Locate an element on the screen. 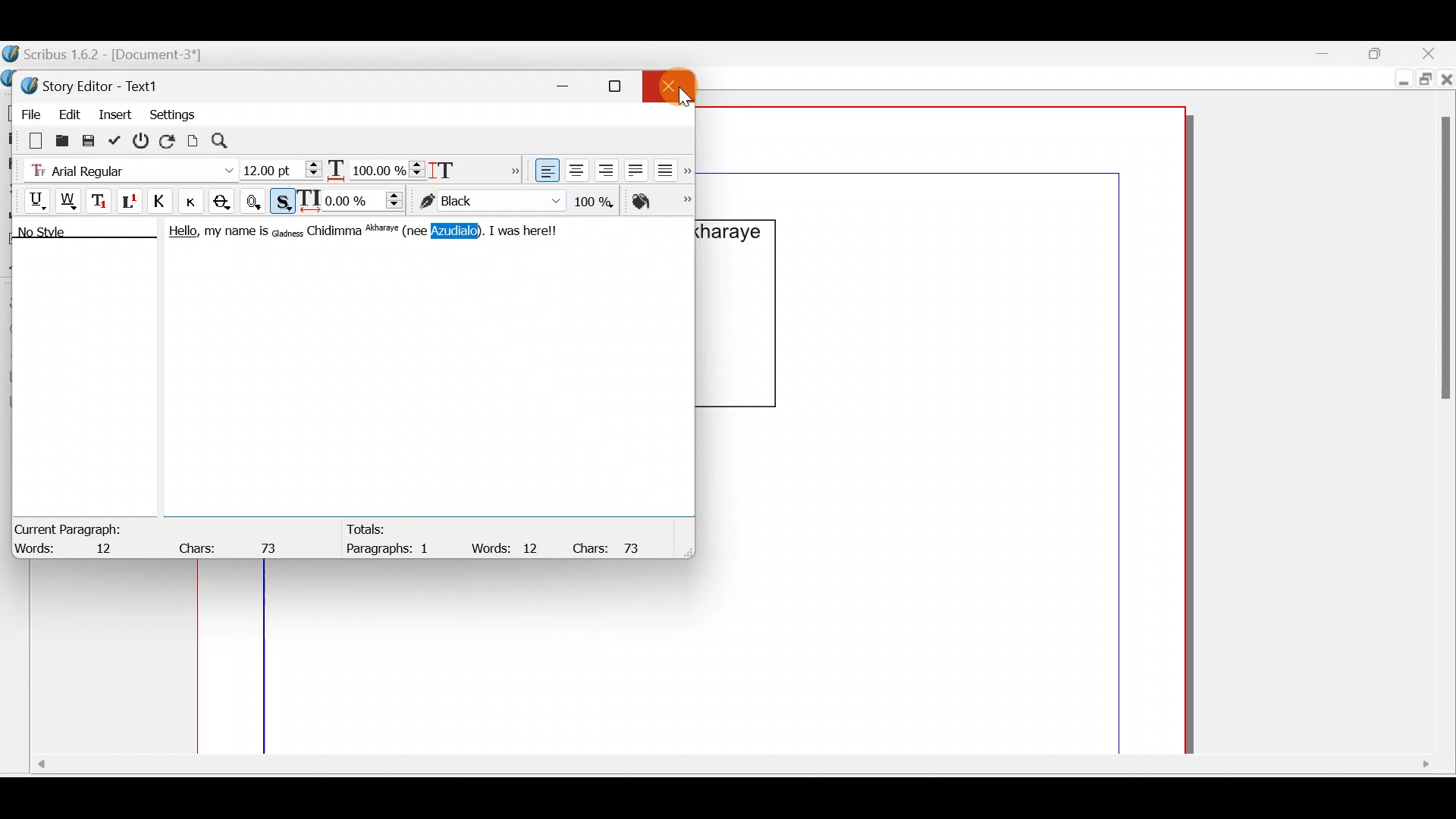  Align text left is located at coordinates (545, 171).